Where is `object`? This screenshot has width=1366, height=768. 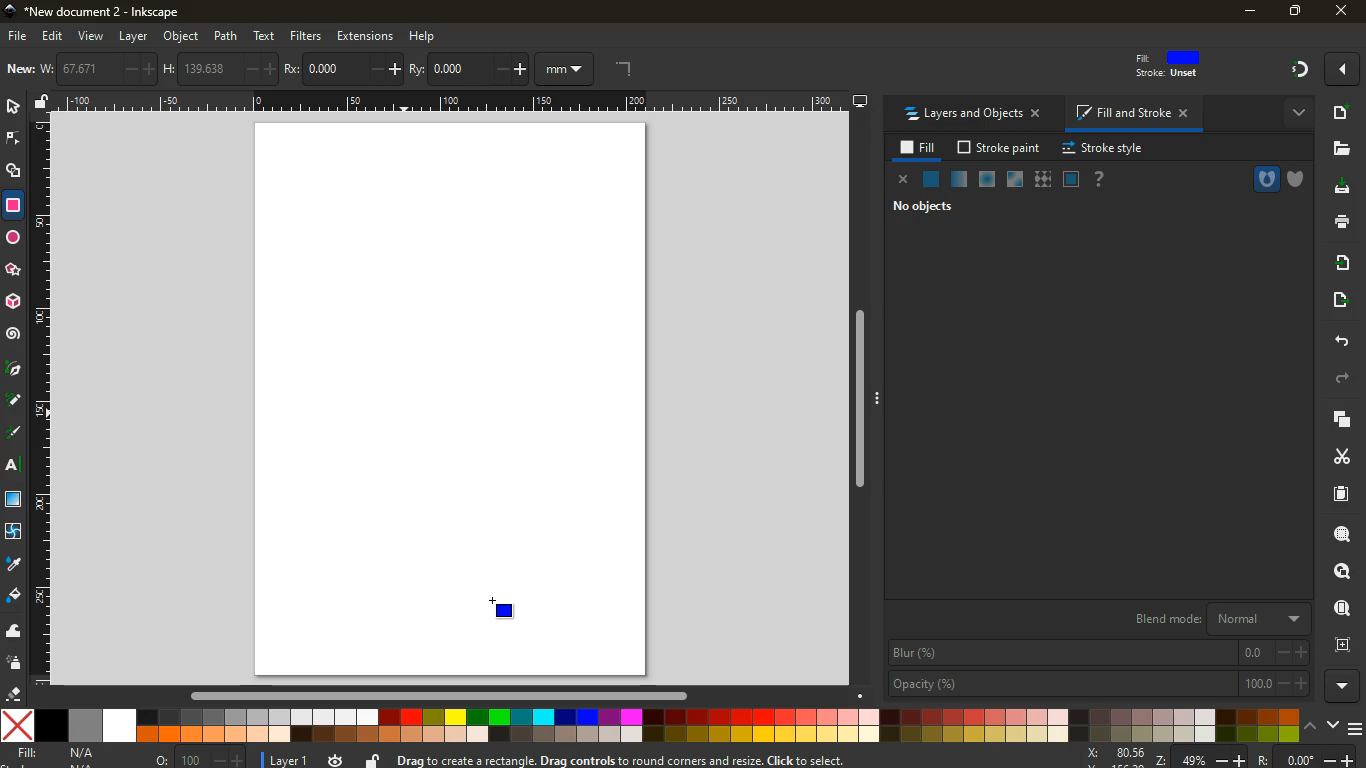 object is located at coordinates (182, 37).